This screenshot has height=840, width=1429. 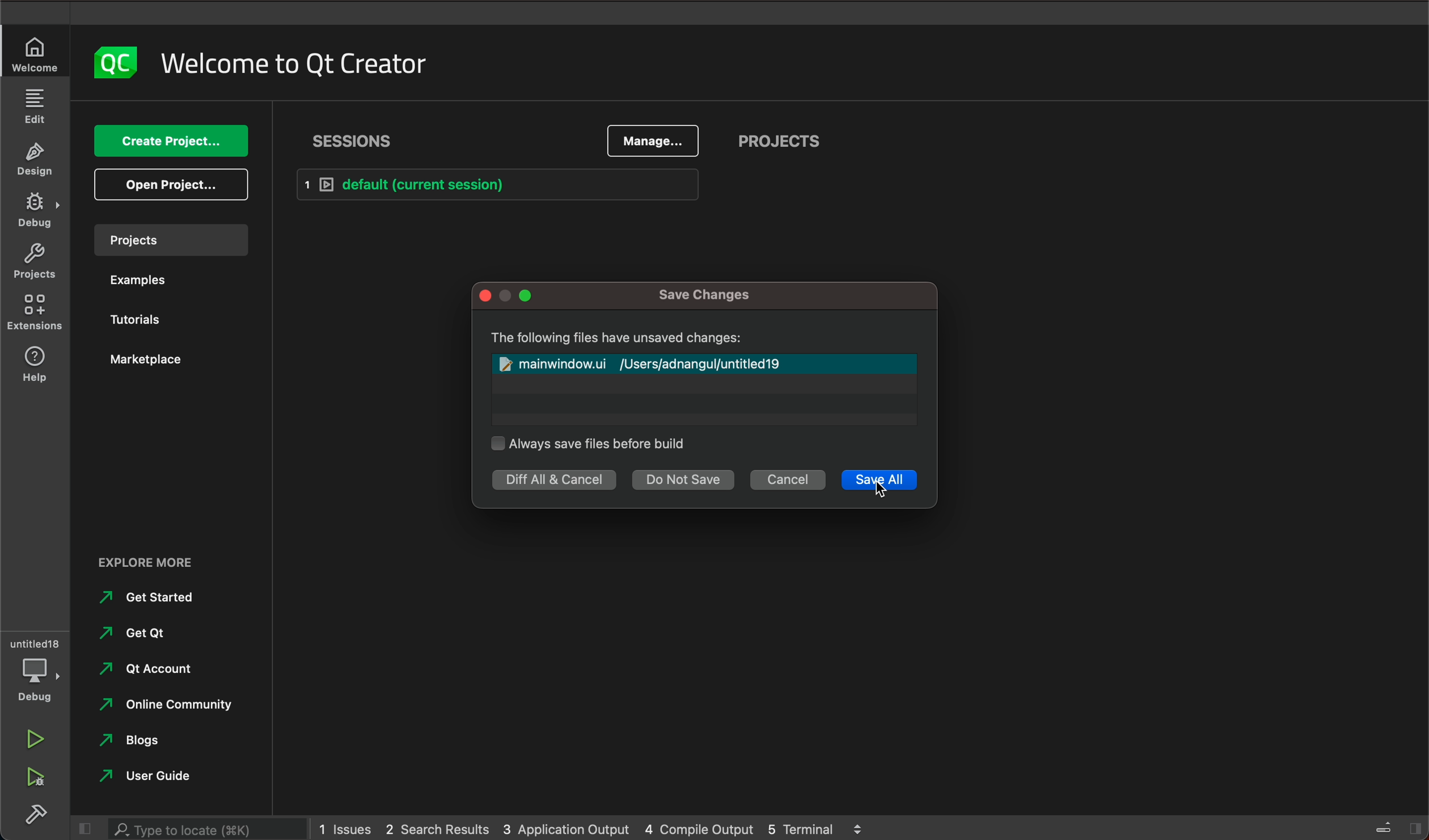 What do you see at coordinates (172, 142) in the screenshot?
I see `create` at bounding box center [172, 142].